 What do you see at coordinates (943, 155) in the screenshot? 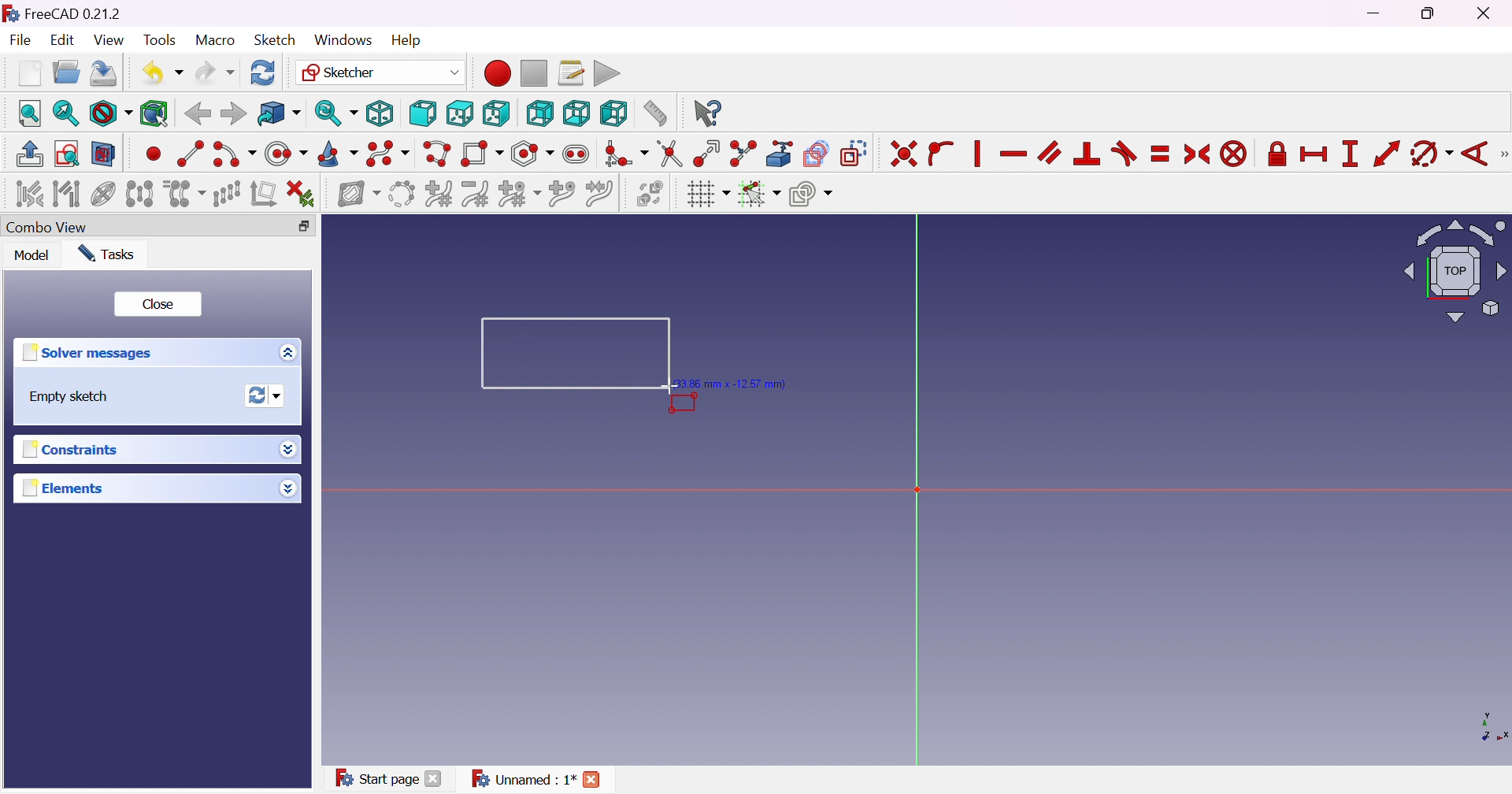
I see `Constrain point onto object` at bounding box center [943, 155].